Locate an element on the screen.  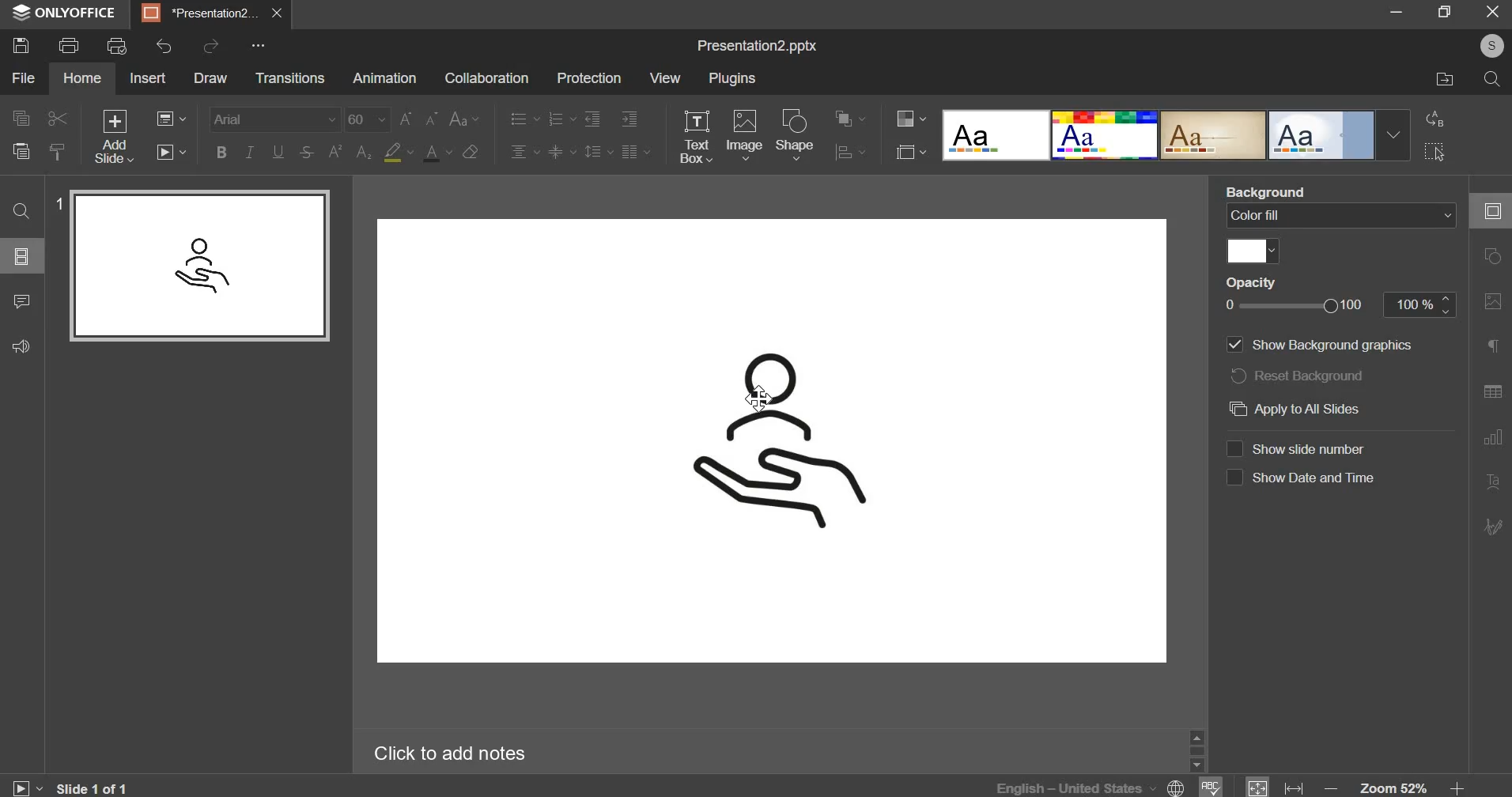
insert is located at coordinates (149, 77).